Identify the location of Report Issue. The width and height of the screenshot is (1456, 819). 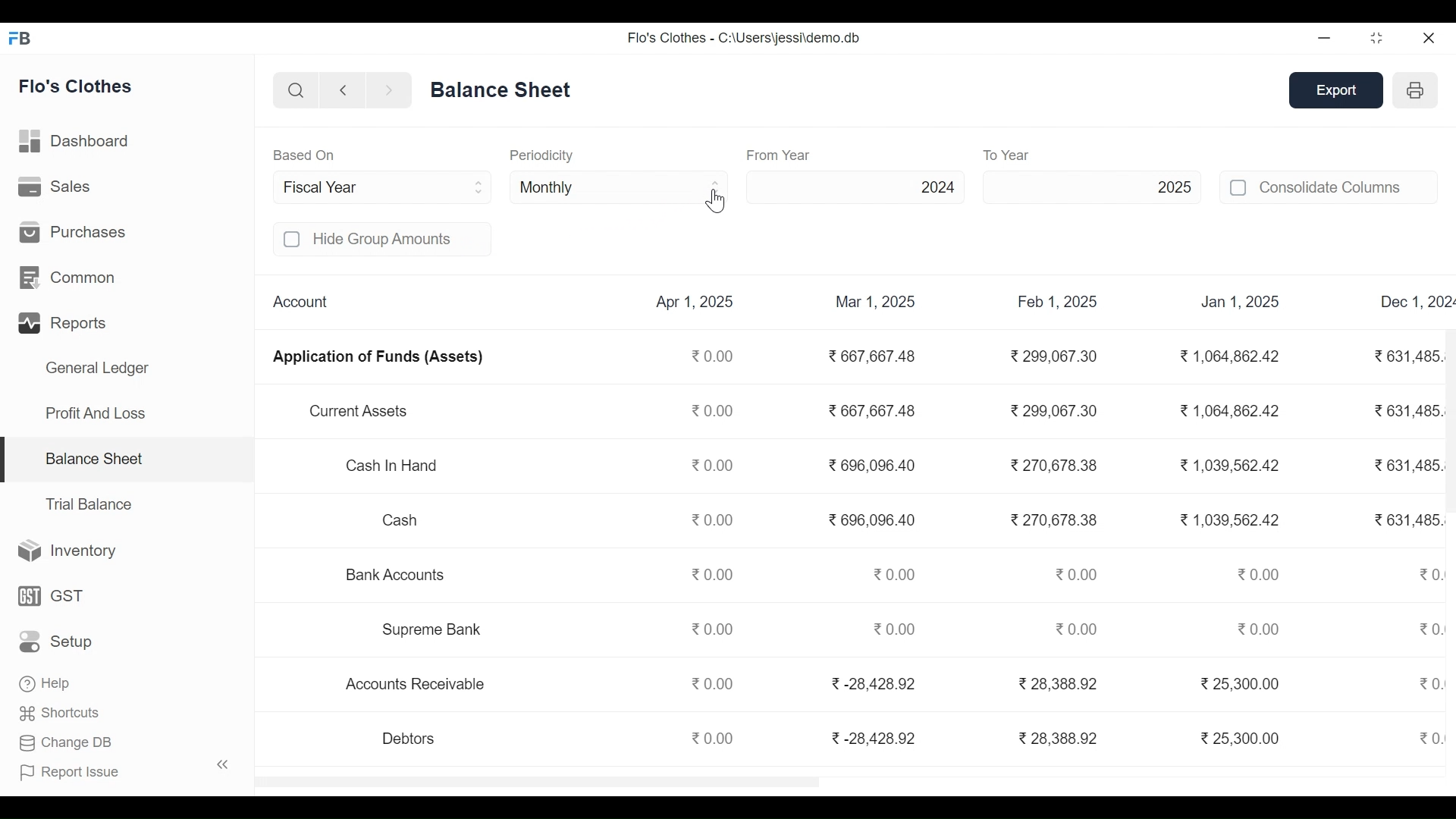
(71, 770).